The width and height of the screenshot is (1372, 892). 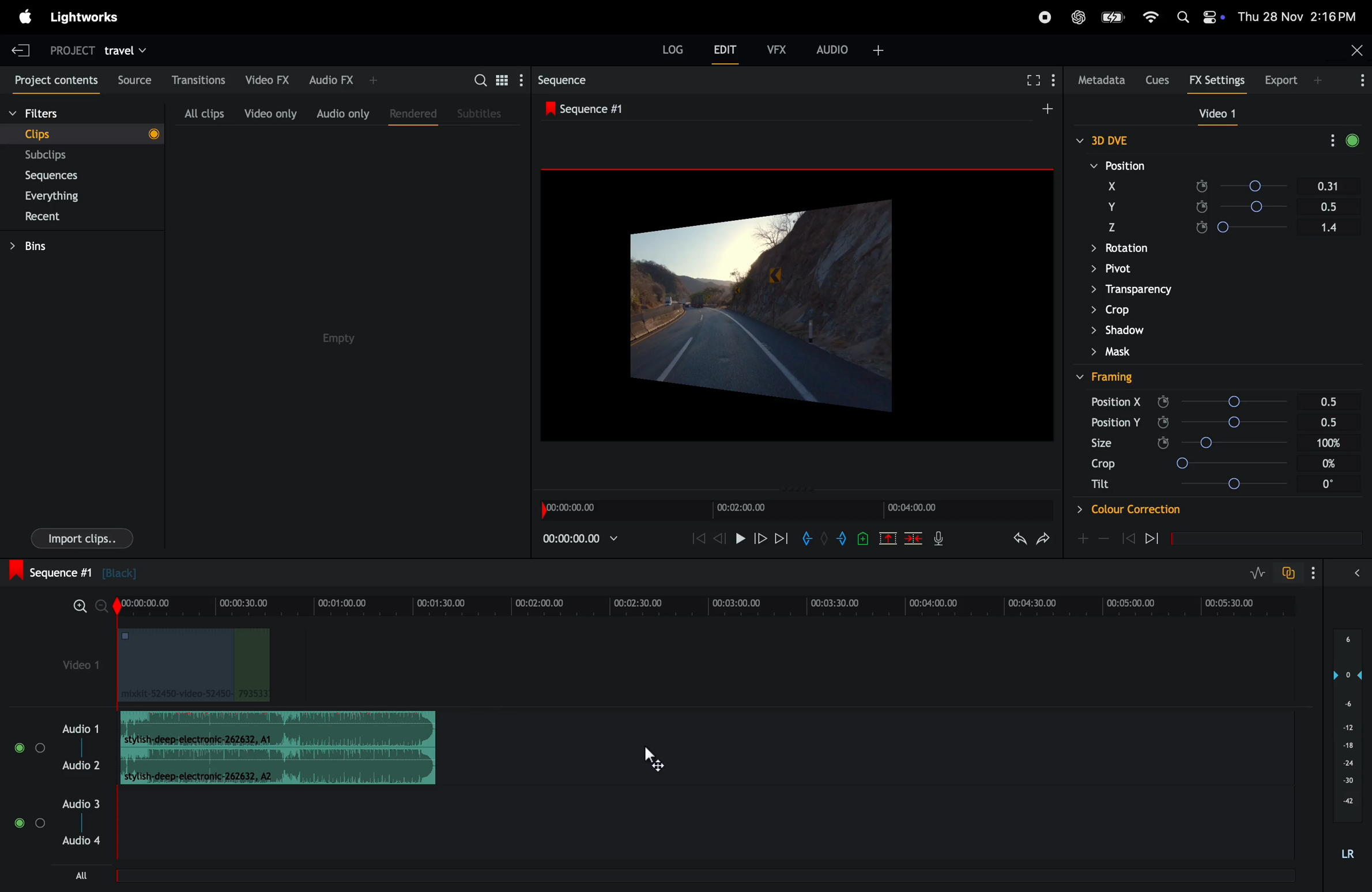 I want to click on mic, so click(x=942, y=538).